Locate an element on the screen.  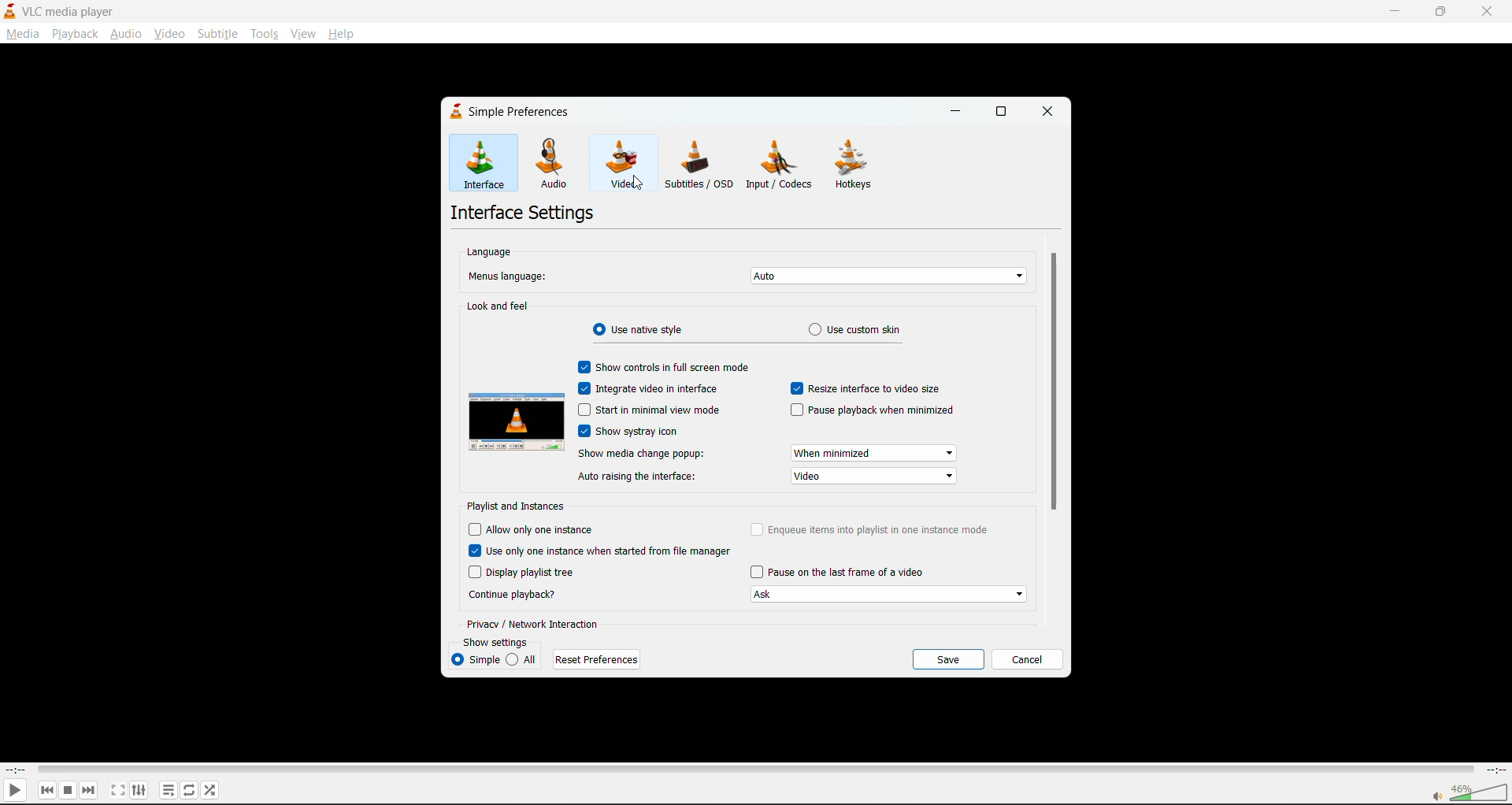
minimize is located at coordinates (958, 112).